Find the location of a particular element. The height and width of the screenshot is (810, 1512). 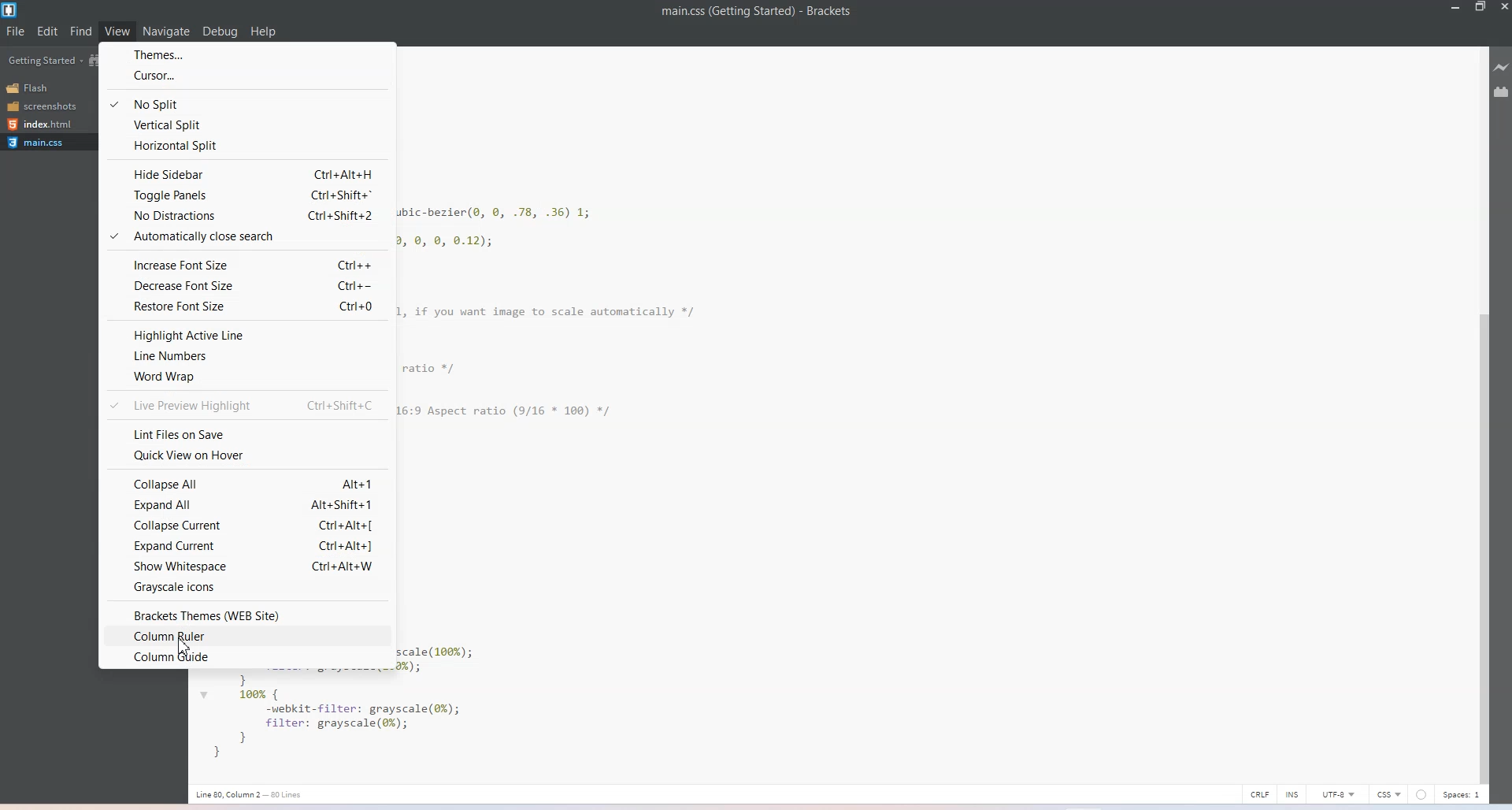

Live Preview is located at coordinates (1503, 68).